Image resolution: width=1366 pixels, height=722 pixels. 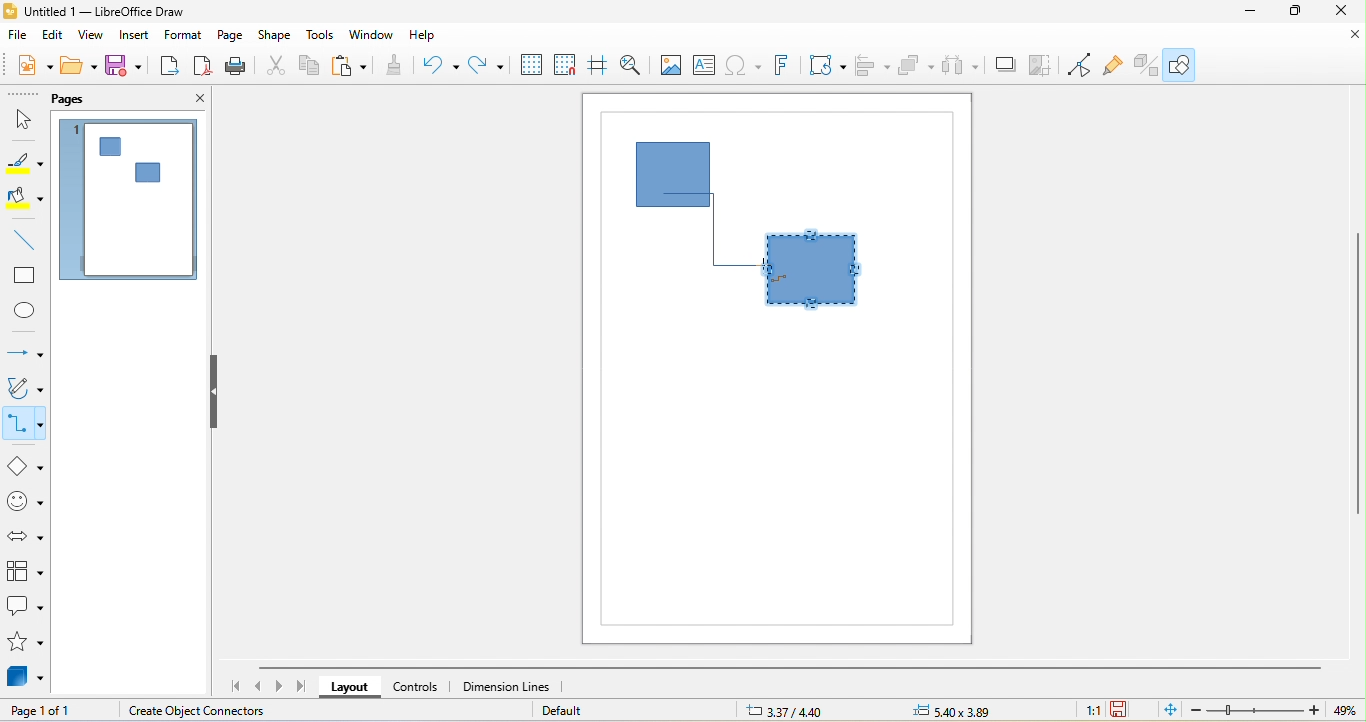 What do you see at coordinates (26, 605) in the screenshot?
I see `callout shape` at bounding box center [26, 605].